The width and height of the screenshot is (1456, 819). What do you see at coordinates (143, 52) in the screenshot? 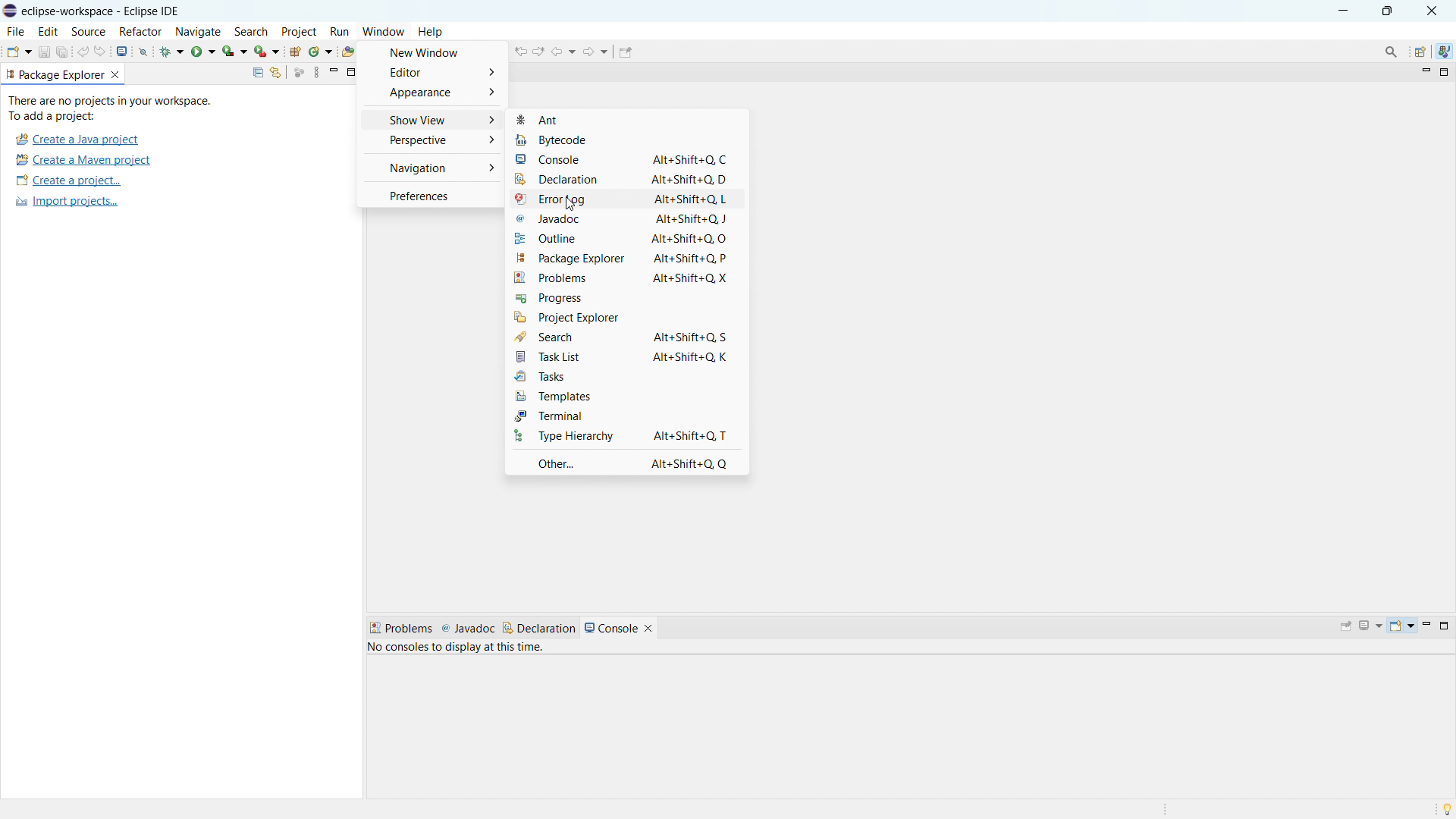
I see `skip all breakpoints` at bounding box center [143, 52].